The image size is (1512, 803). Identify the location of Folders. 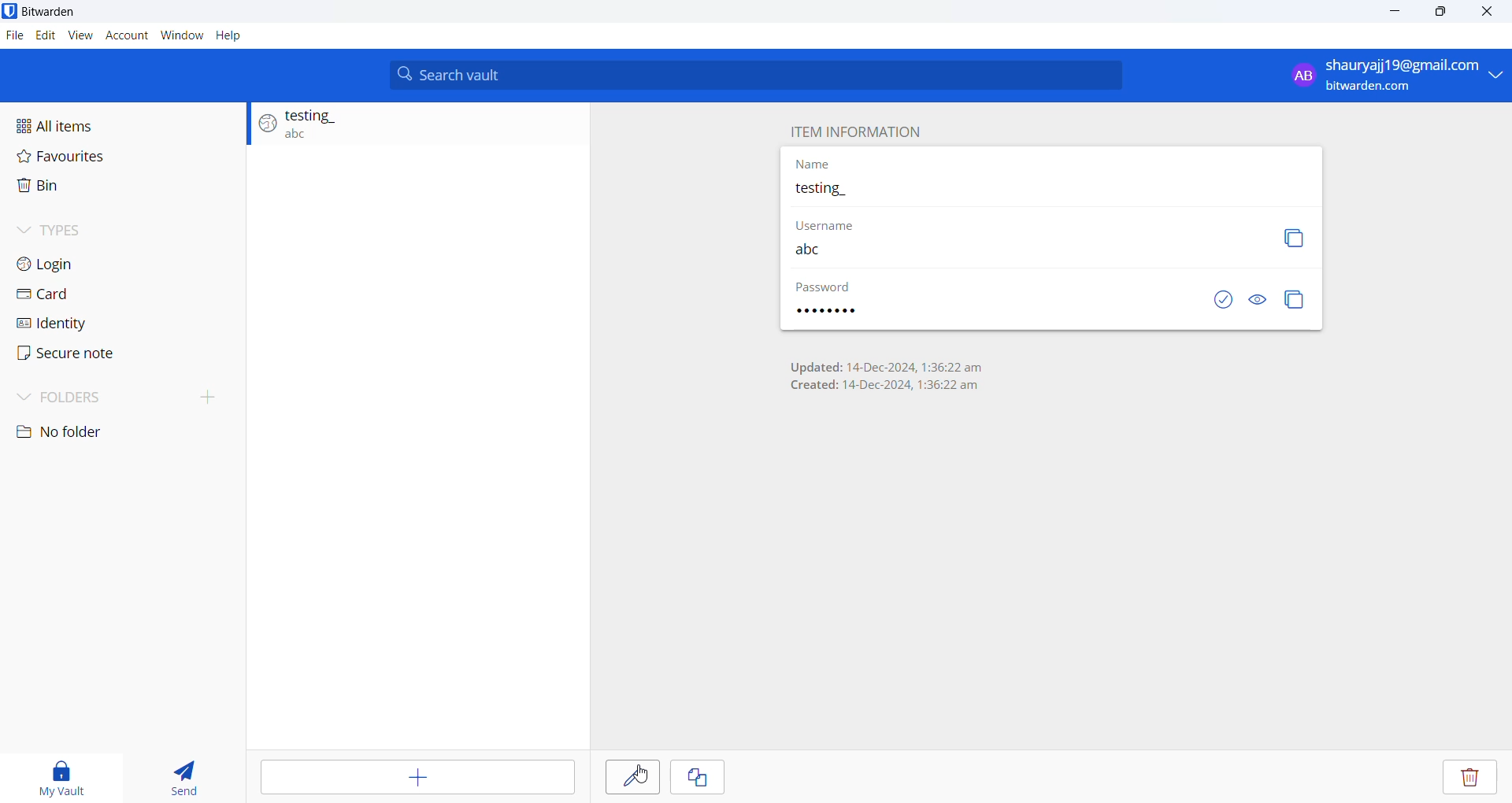
(84, 398).